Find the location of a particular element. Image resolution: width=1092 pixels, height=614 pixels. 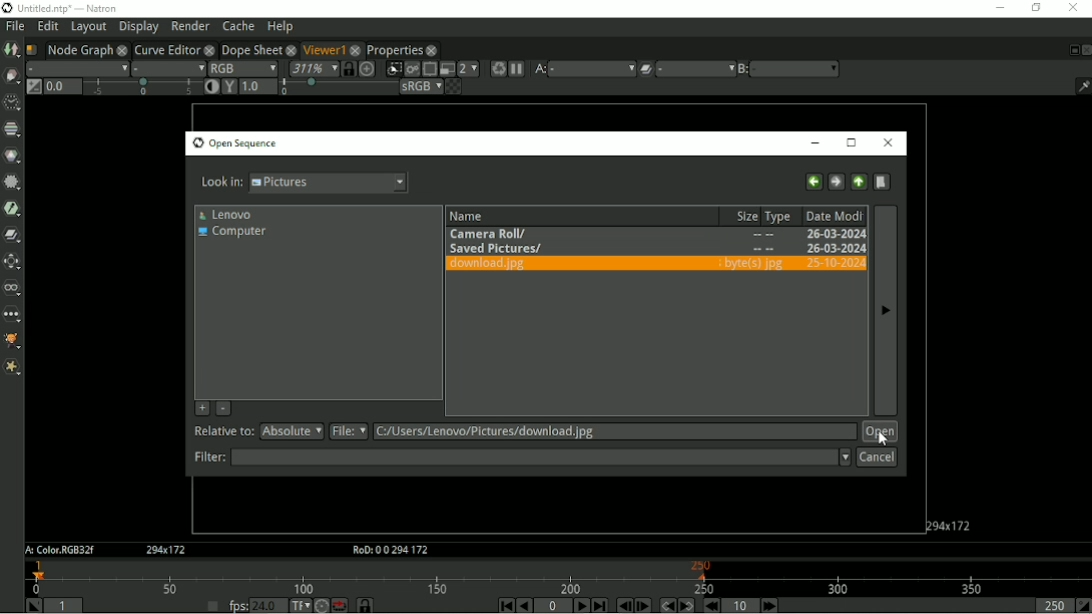

Zoom is located at coordinates (312, 68).